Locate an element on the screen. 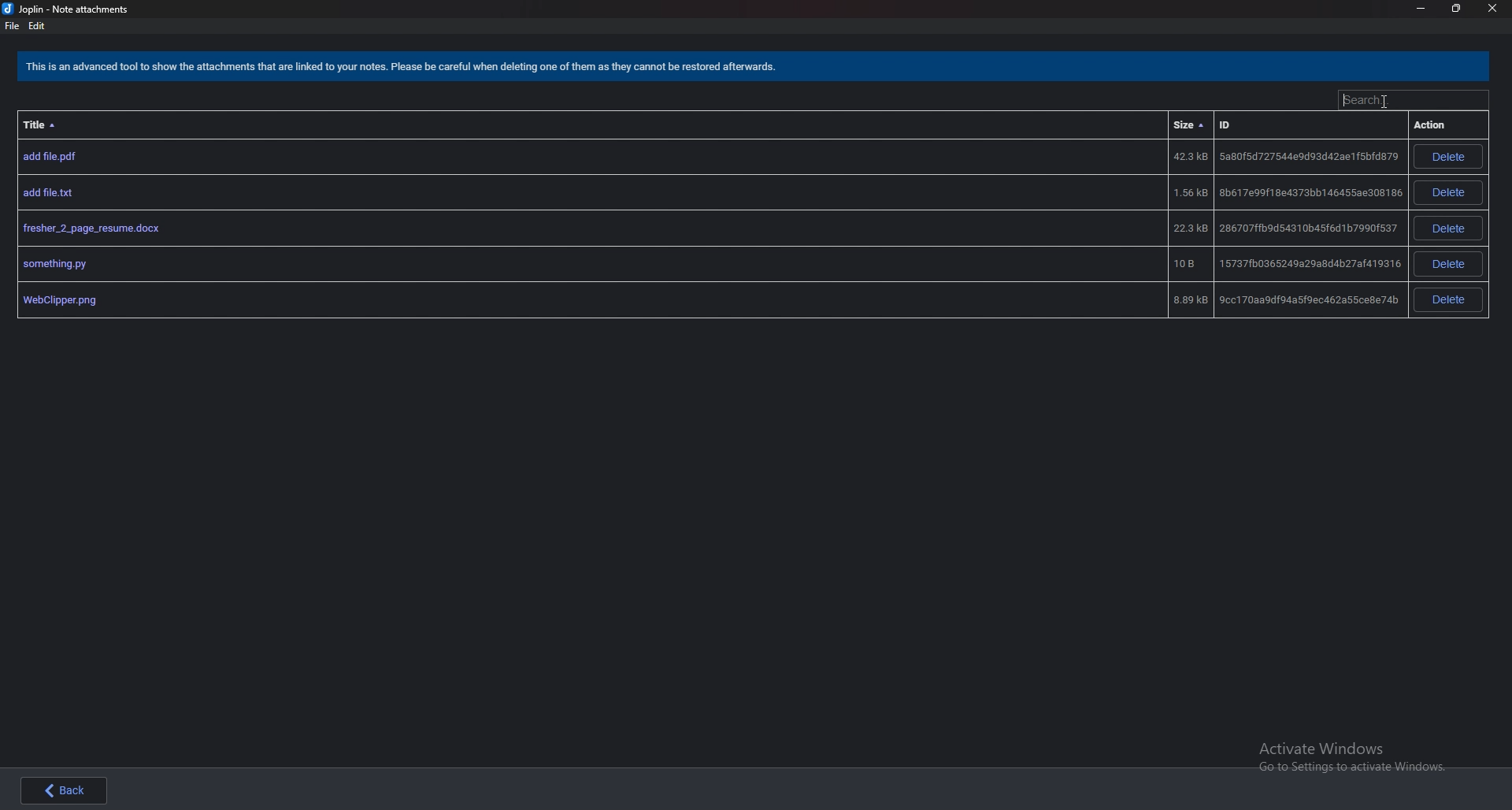 This screenshot has width=1512, height=810. attachment is located at coordinates (707, 193).